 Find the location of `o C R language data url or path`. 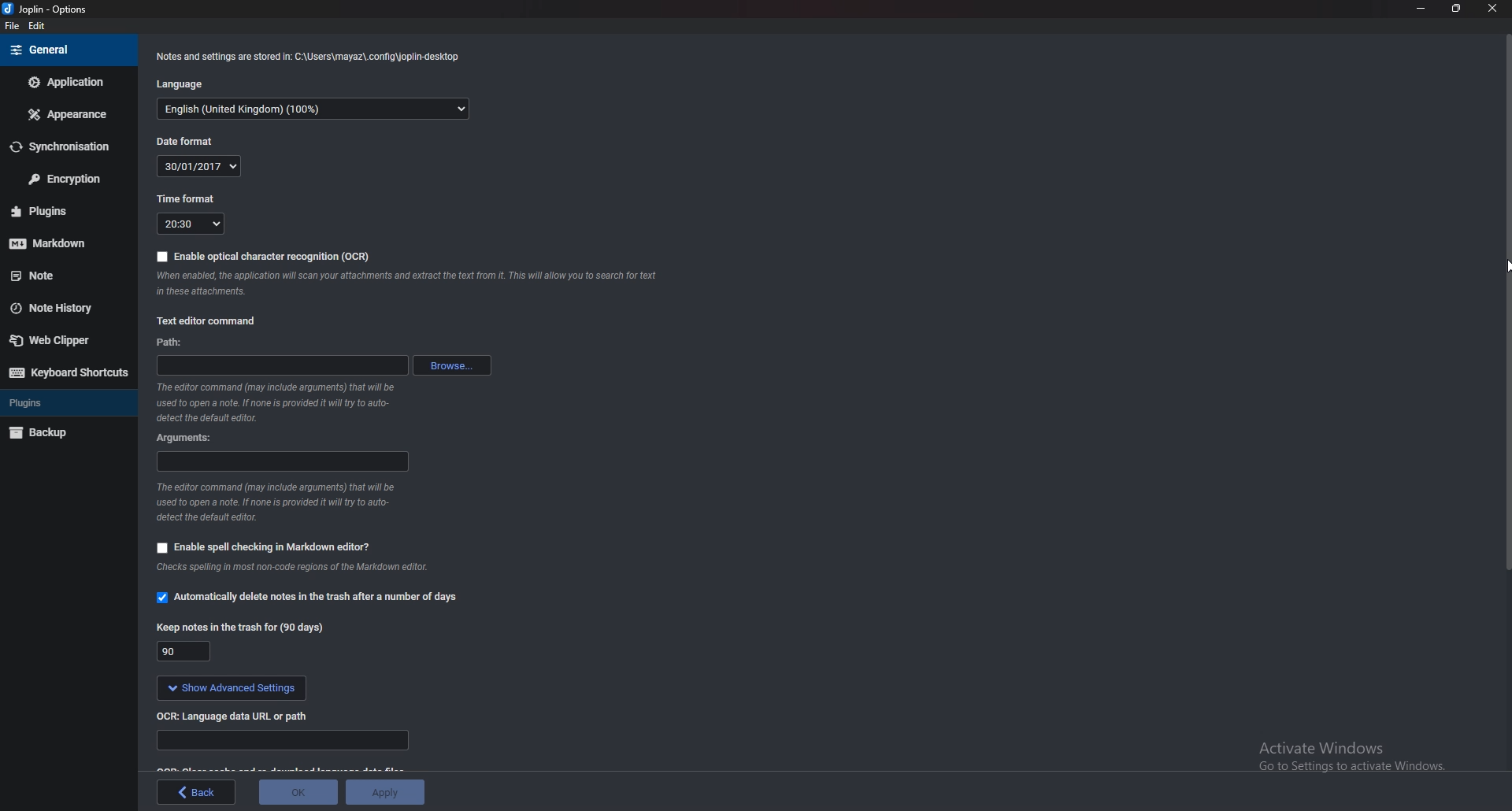

o C R language data url or path is located at coordinates (238, 716).